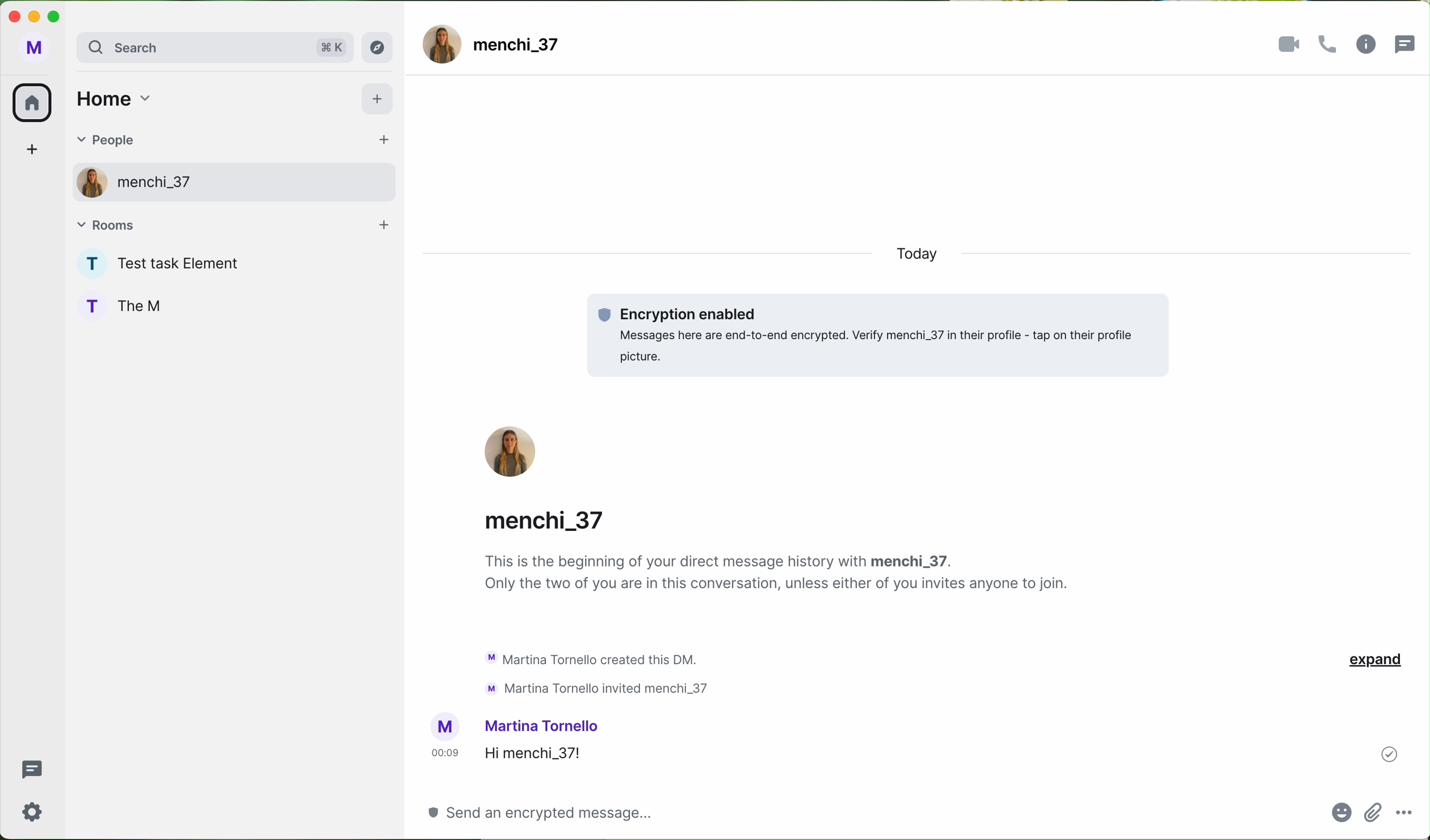 The image size is (1430, 840). I want to click on add, so click(380, 141).